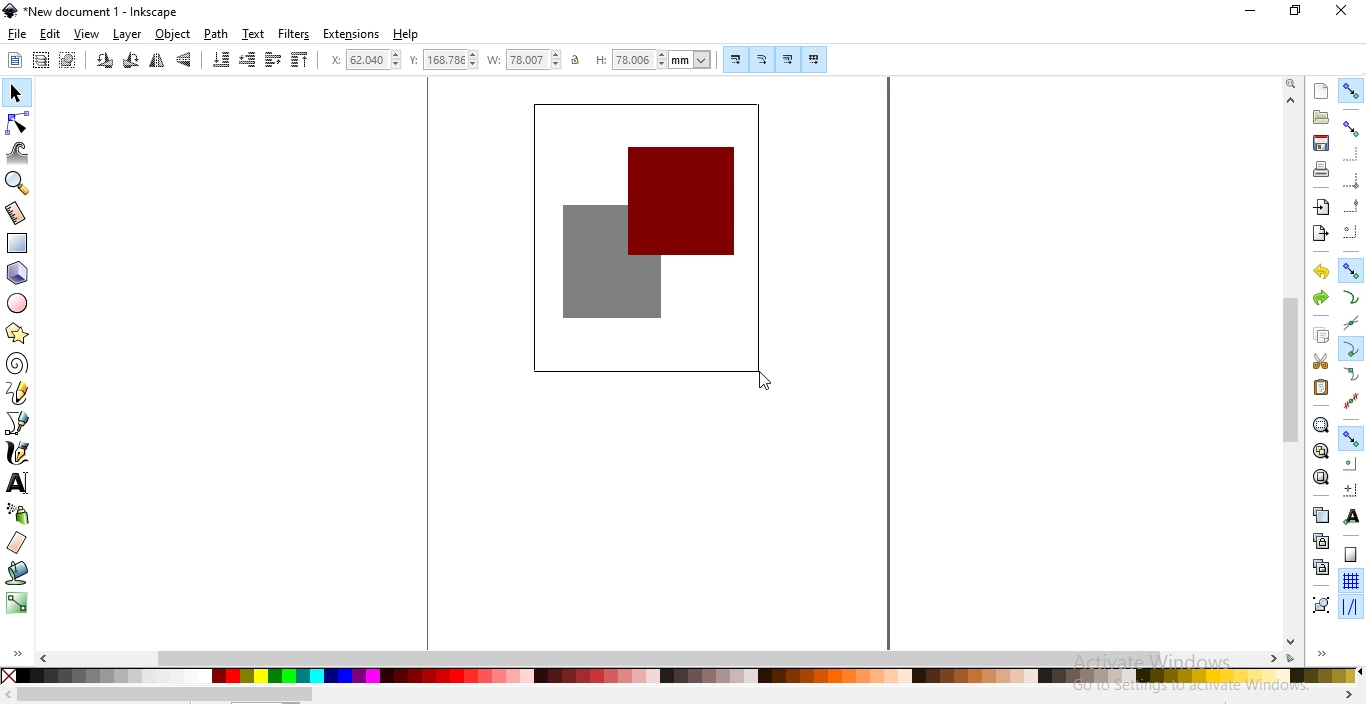  Describe the element at coordinates (70, 60) in the screenshot. I see `deselect selected objects or nodes` at that location.